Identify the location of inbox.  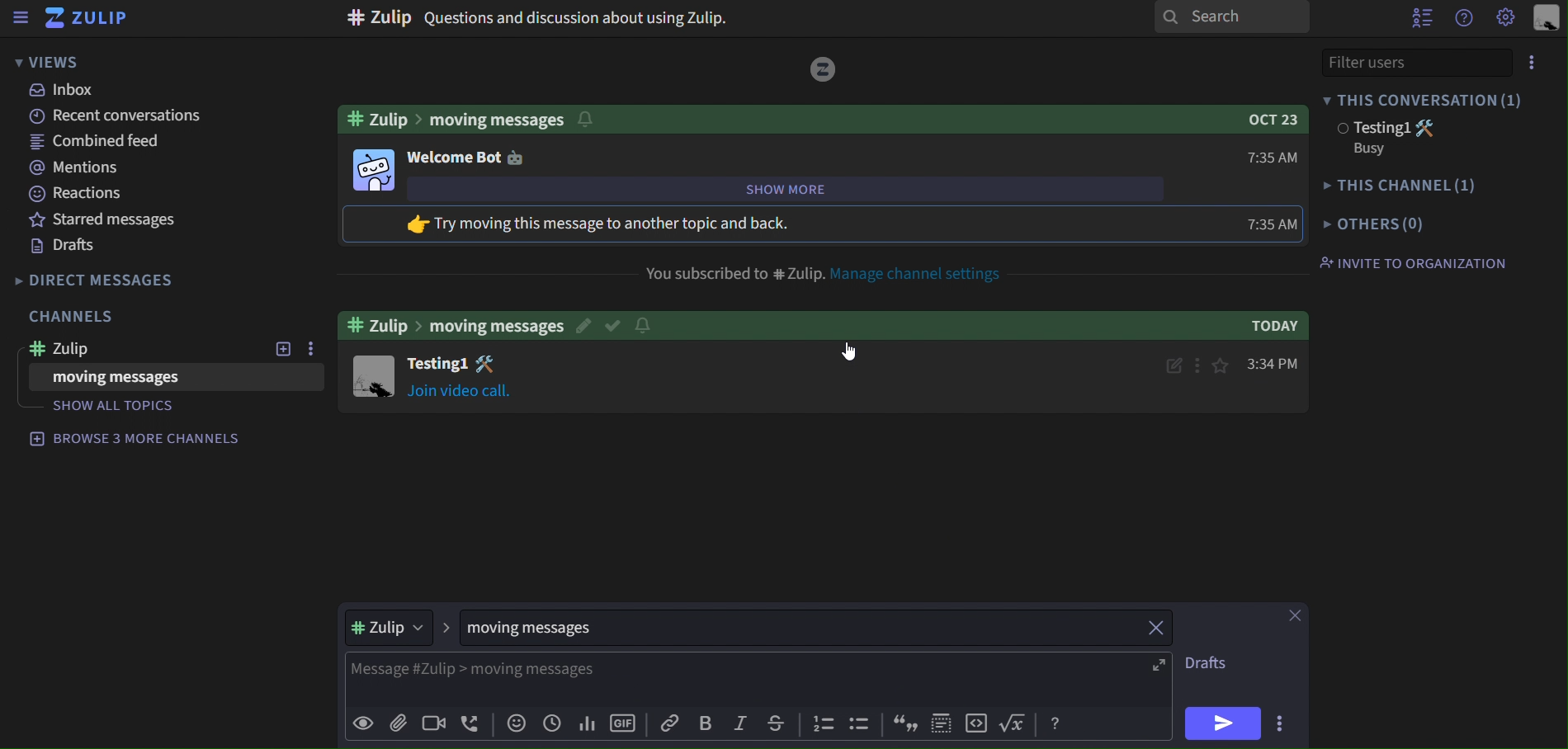
(68, 92).